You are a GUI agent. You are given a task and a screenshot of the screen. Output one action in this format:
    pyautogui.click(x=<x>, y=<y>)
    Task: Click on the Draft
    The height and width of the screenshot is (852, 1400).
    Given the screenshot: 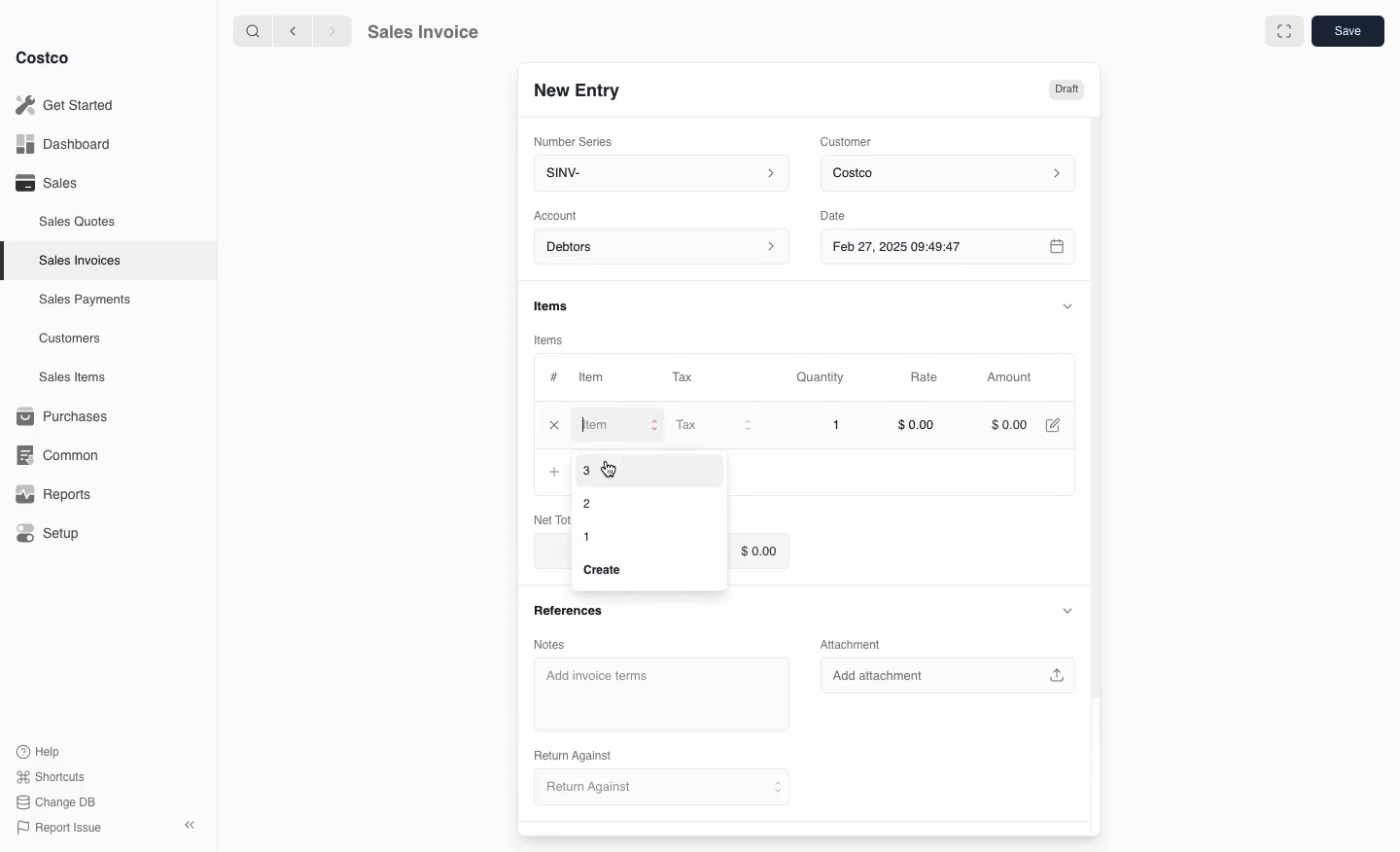 What is the action you would take?
    pyautogui.click(x=1067, y=90)
    